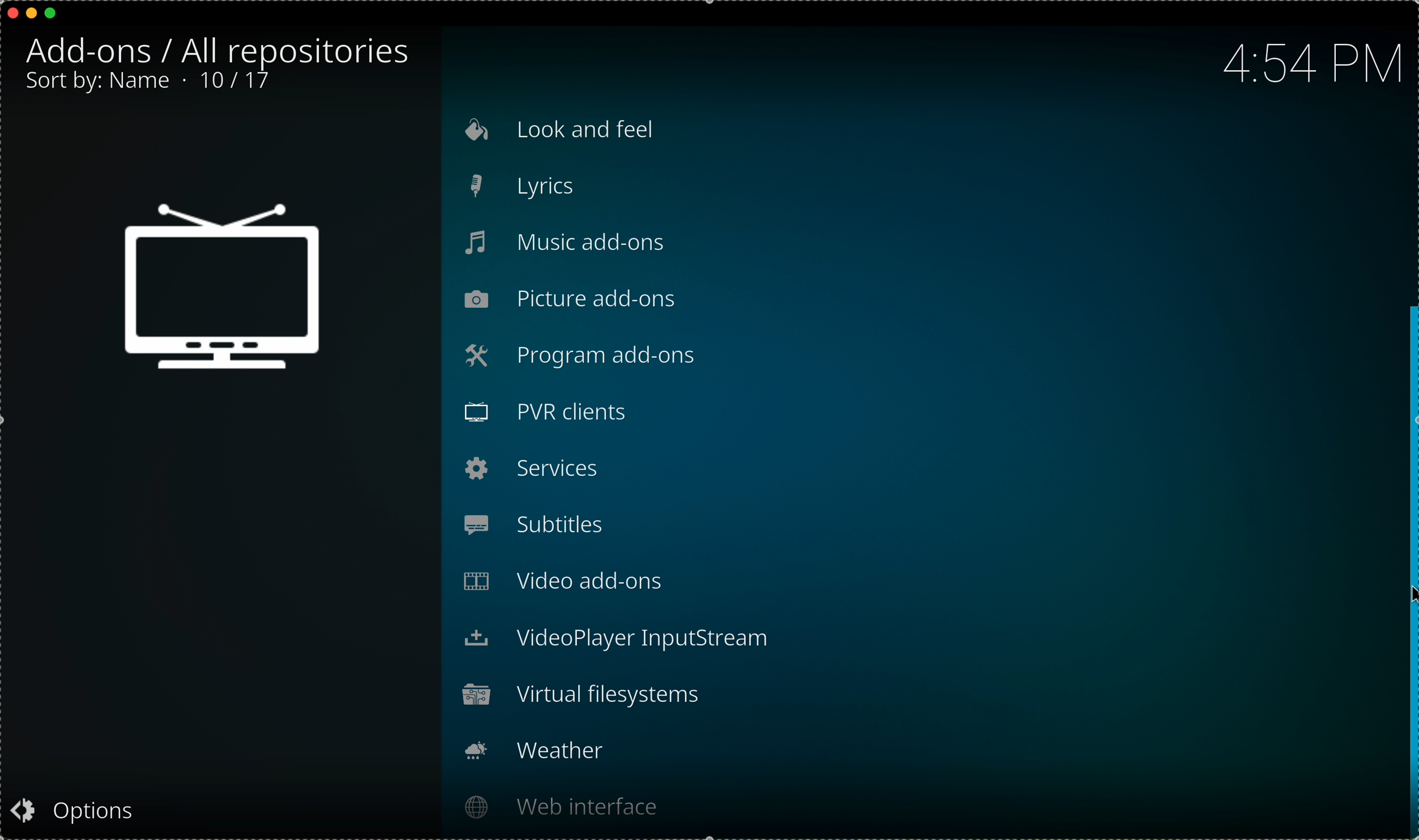  I want to click on 10/17, so click(238, 85).